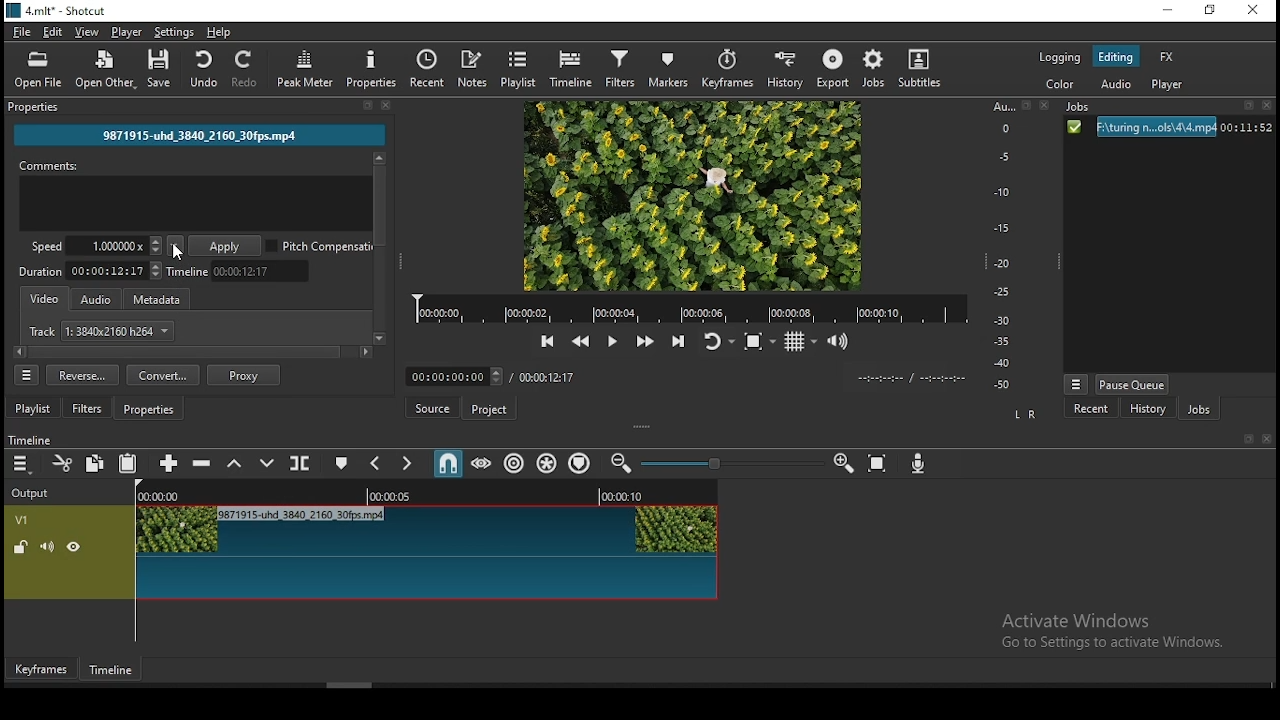 This screenshot has height=720, width=1280. I want to click on help, so click(222, 31).